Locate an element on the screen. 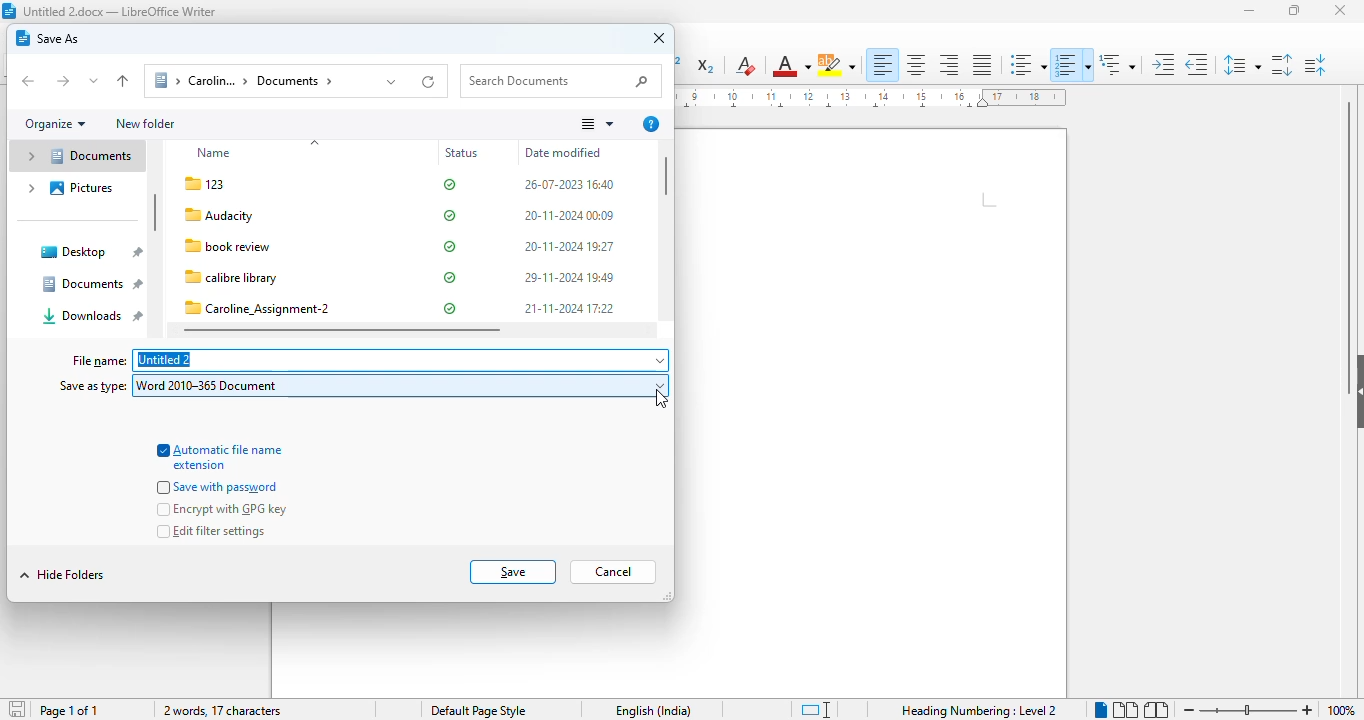 The width and height of the screenshot is (1364, 720). forward is located at coordinates (62, 82).